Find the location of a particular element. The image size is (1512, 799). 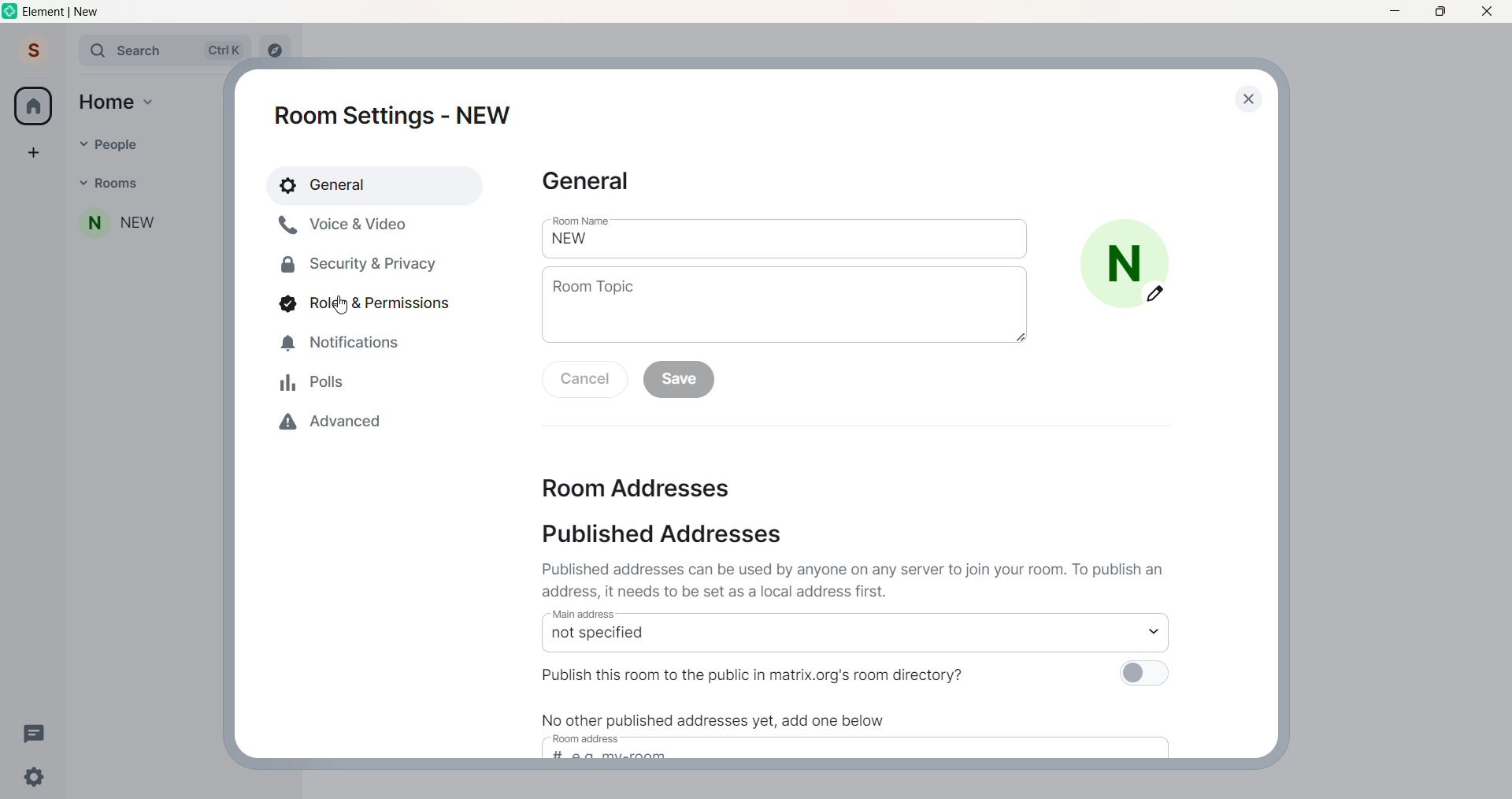

general is located at coordinates (376, 184).